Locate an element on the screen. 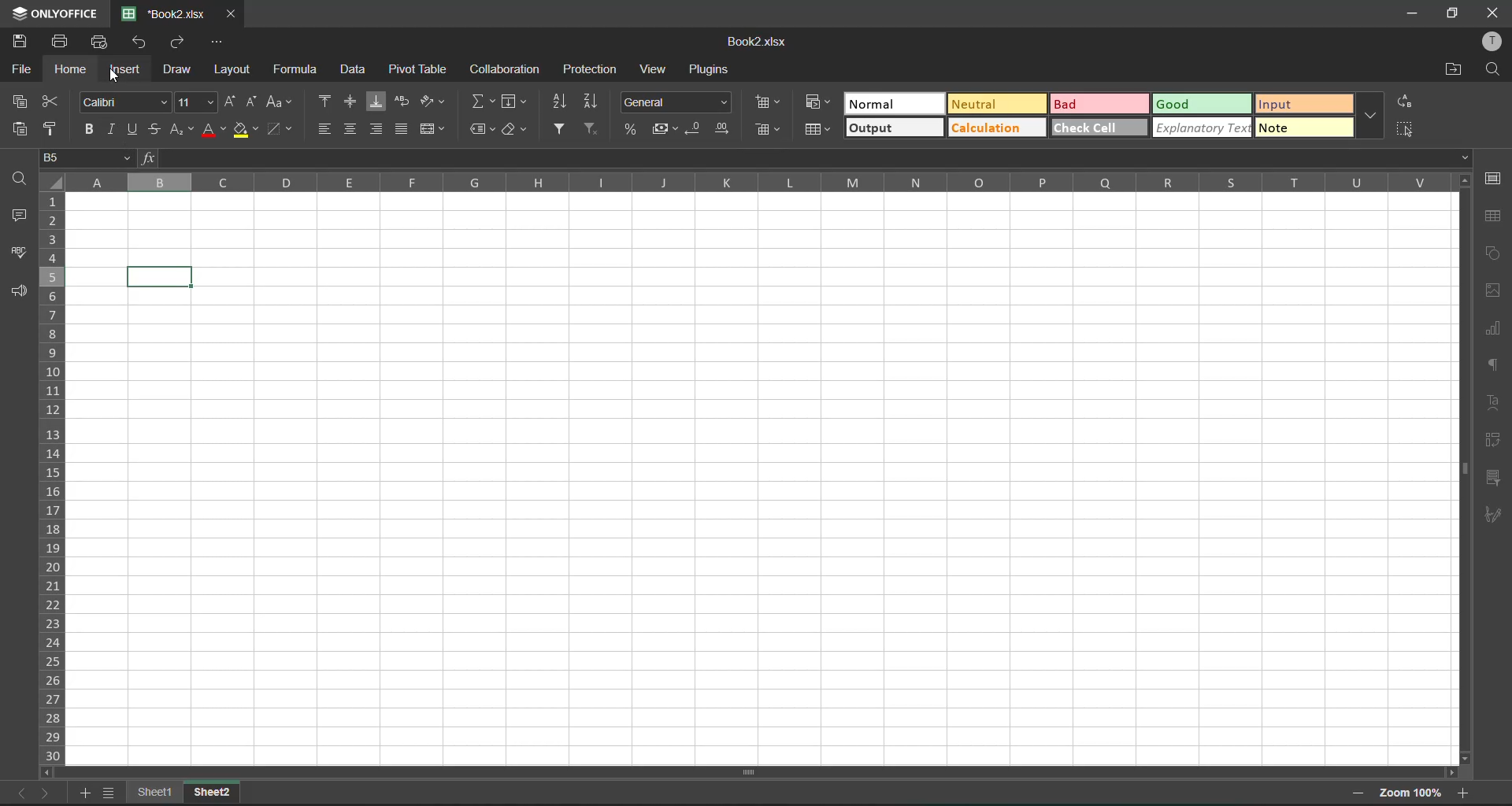 The width and height of the screenshot is (1512, 806). align left is located at coordinates (325, 130).